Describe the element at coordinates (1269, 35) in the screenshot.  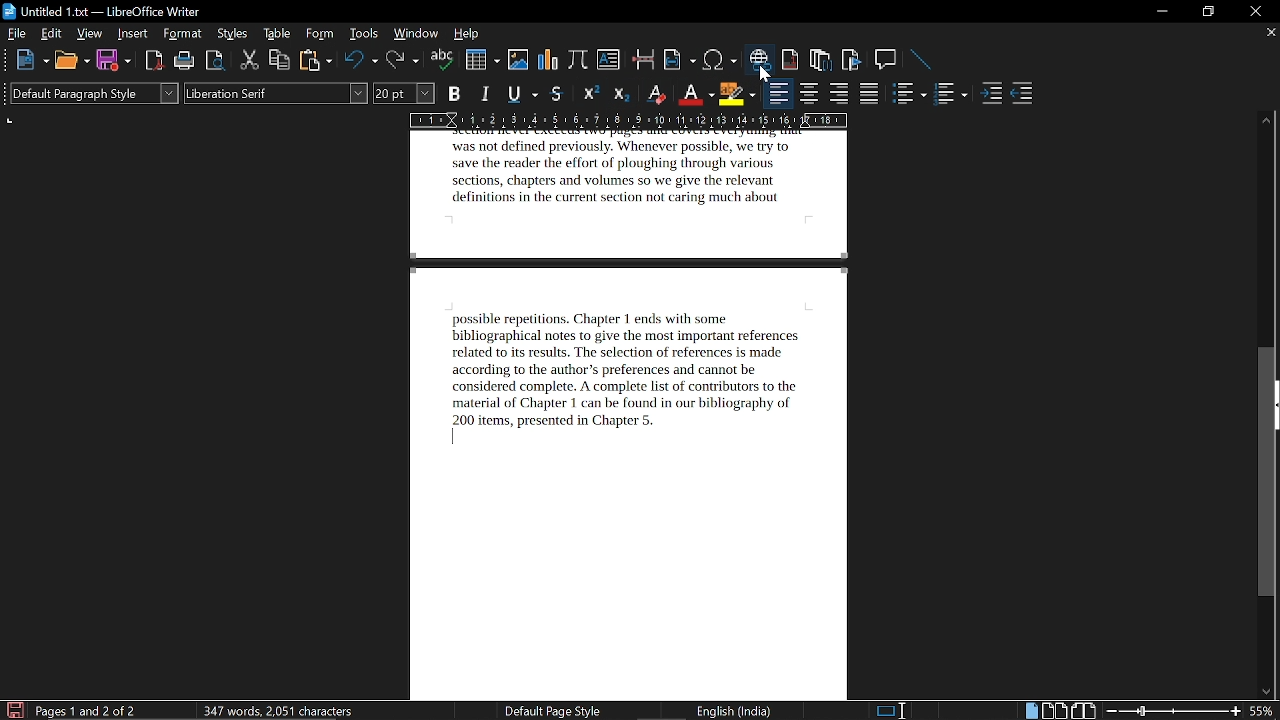
I see `close current tab` at that location.